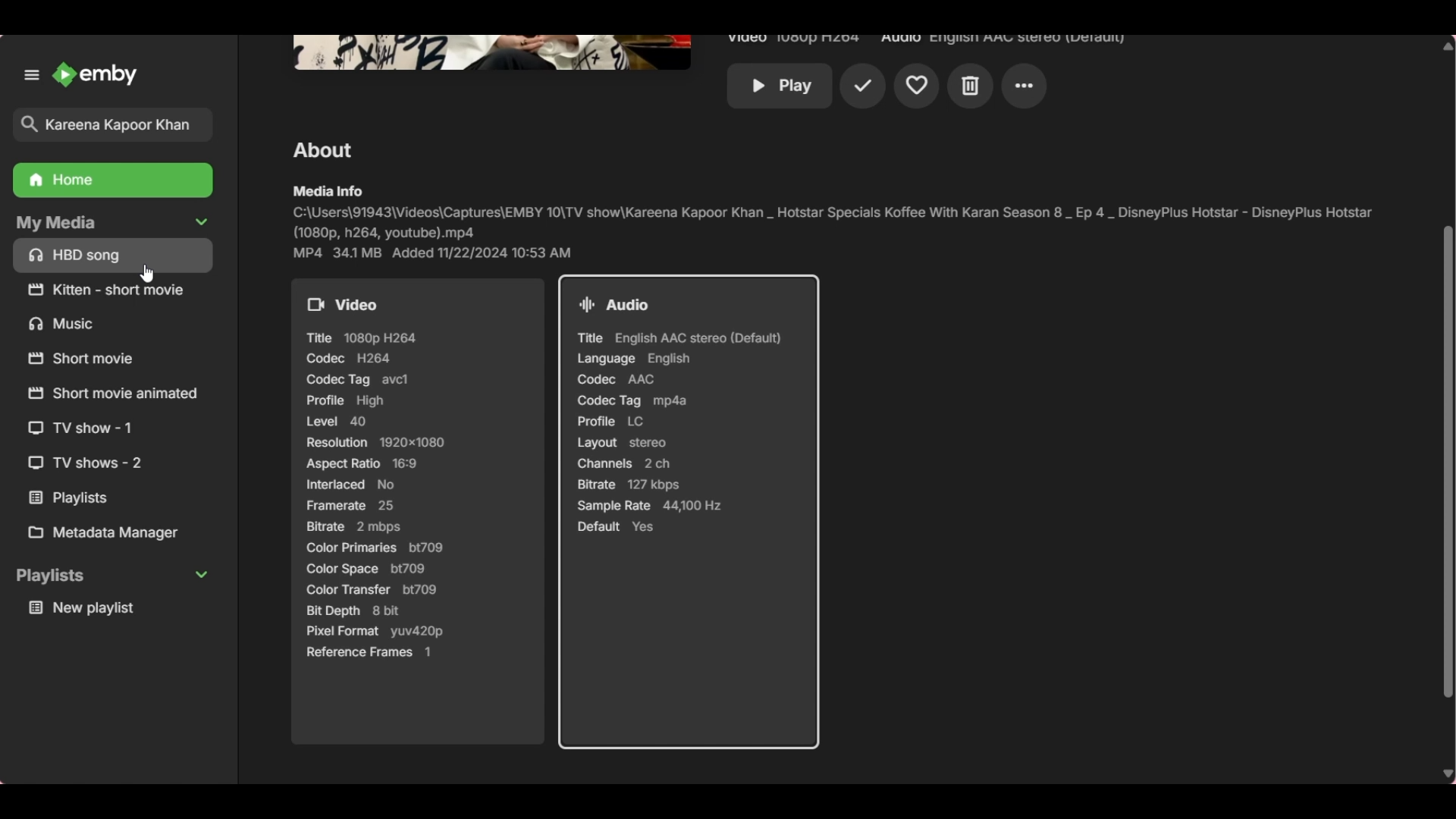  Describe the element at coordinates (201, 75) in the screenshot. I see `Close left panel` at that location.